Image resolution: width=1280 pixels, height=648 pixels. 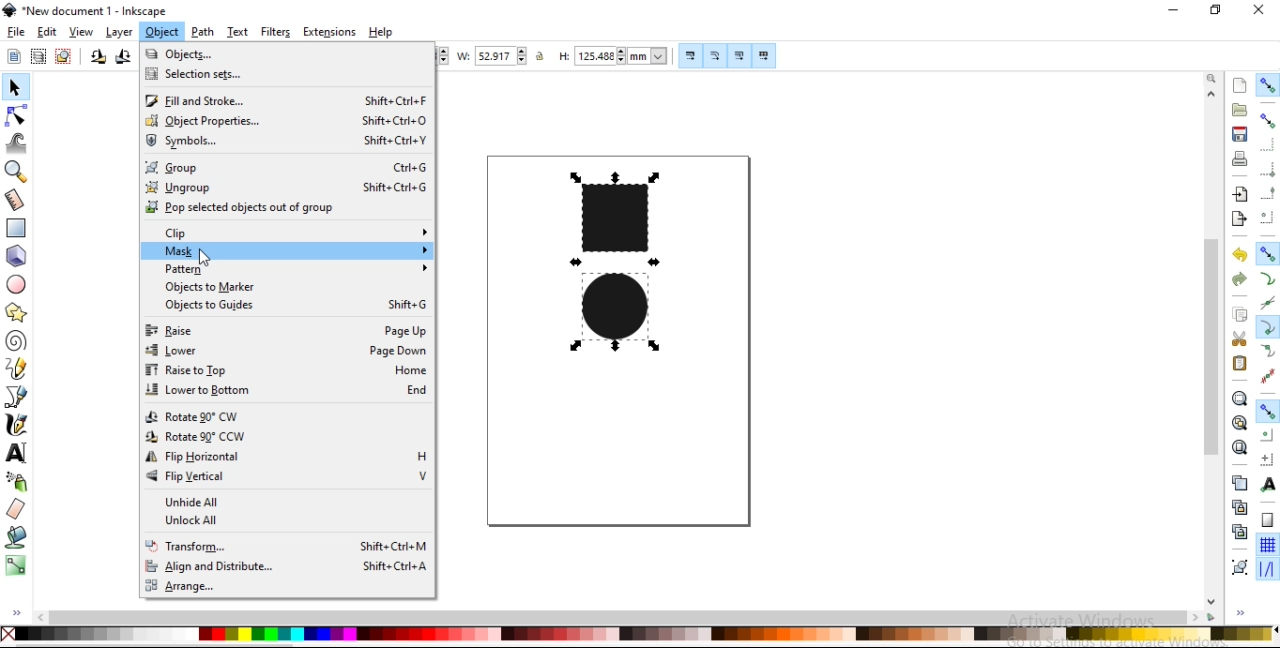 I want to click on mask, so click(x=298, y=254).